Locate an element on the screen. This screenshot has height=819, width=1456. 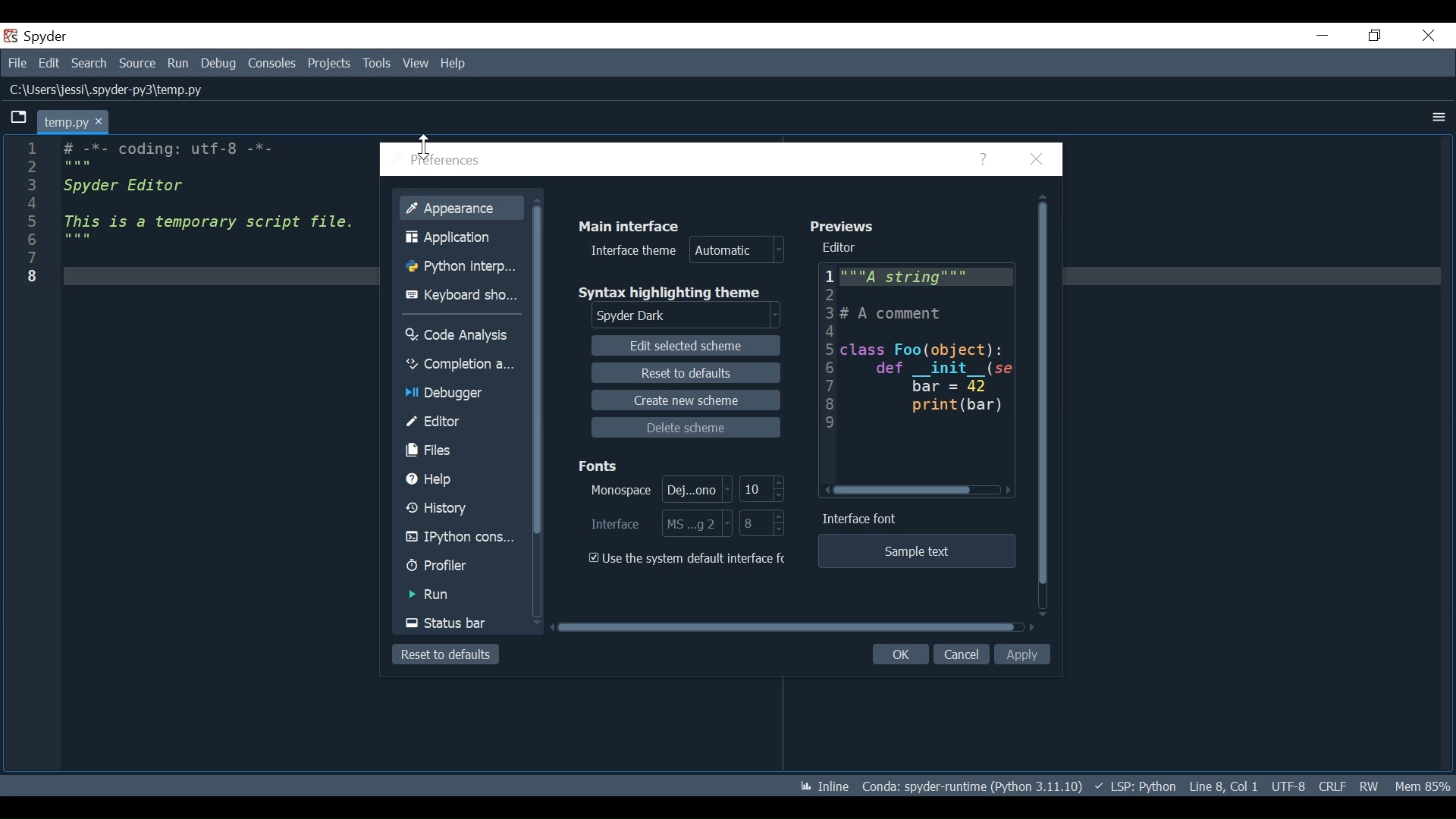
Status Bar is located at coordinates (462, 622).